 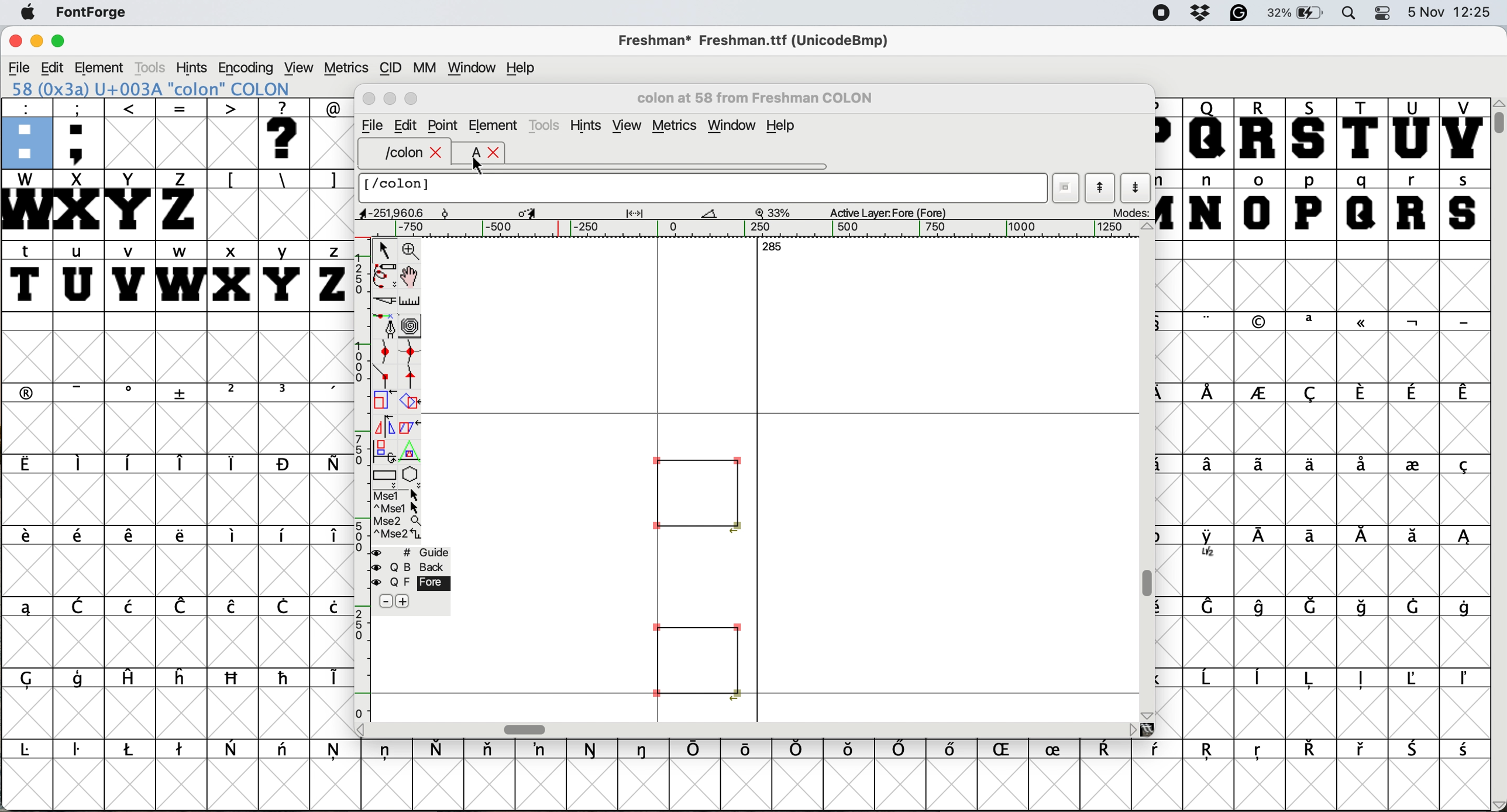 What do you see at coordinates (1360, 132) in the screenshot?
I see `T` at bounding box center [1360, 132].